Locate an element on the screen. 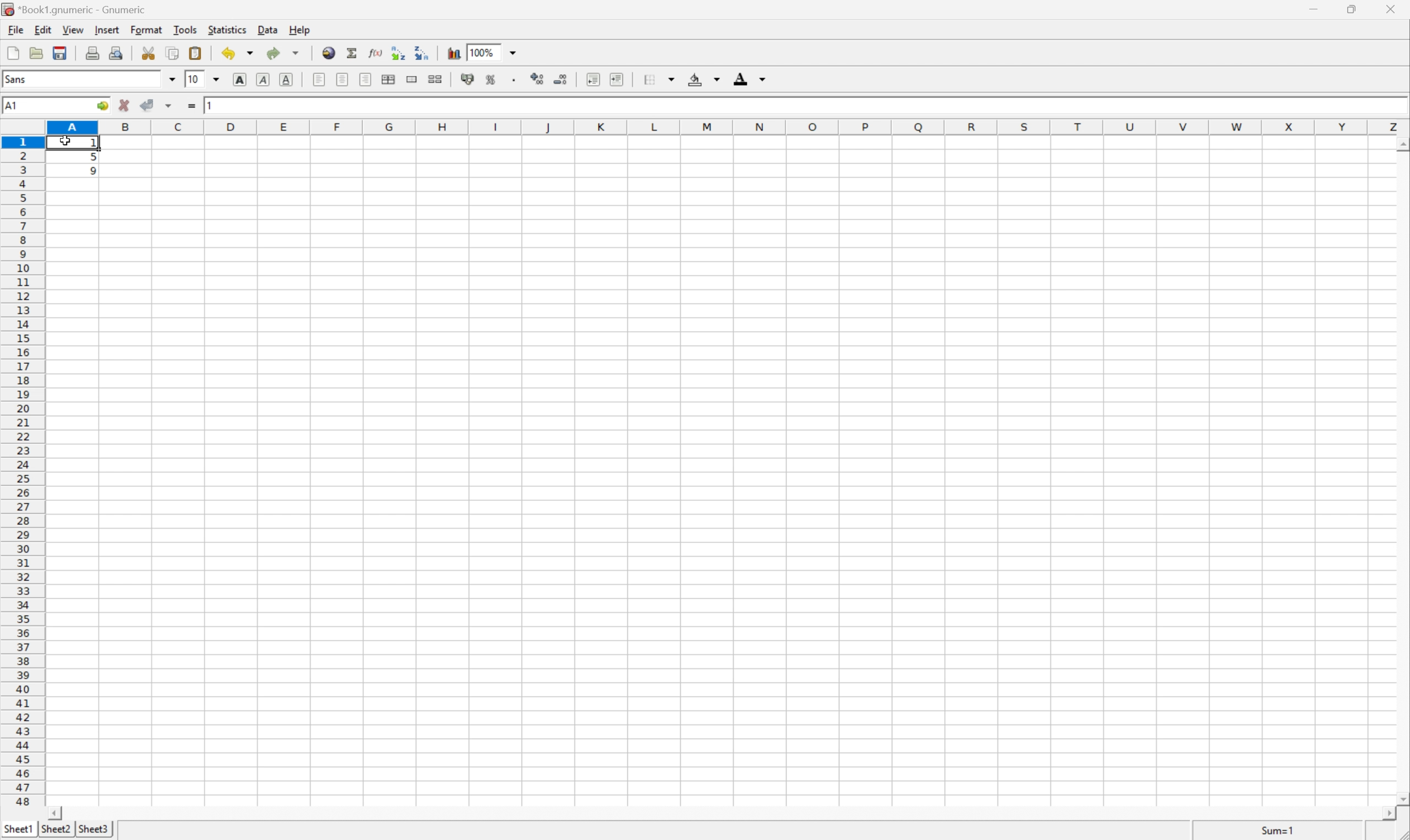 This screenshot has width=1410, height=840. minimize is located at coordinates (1316, 7).